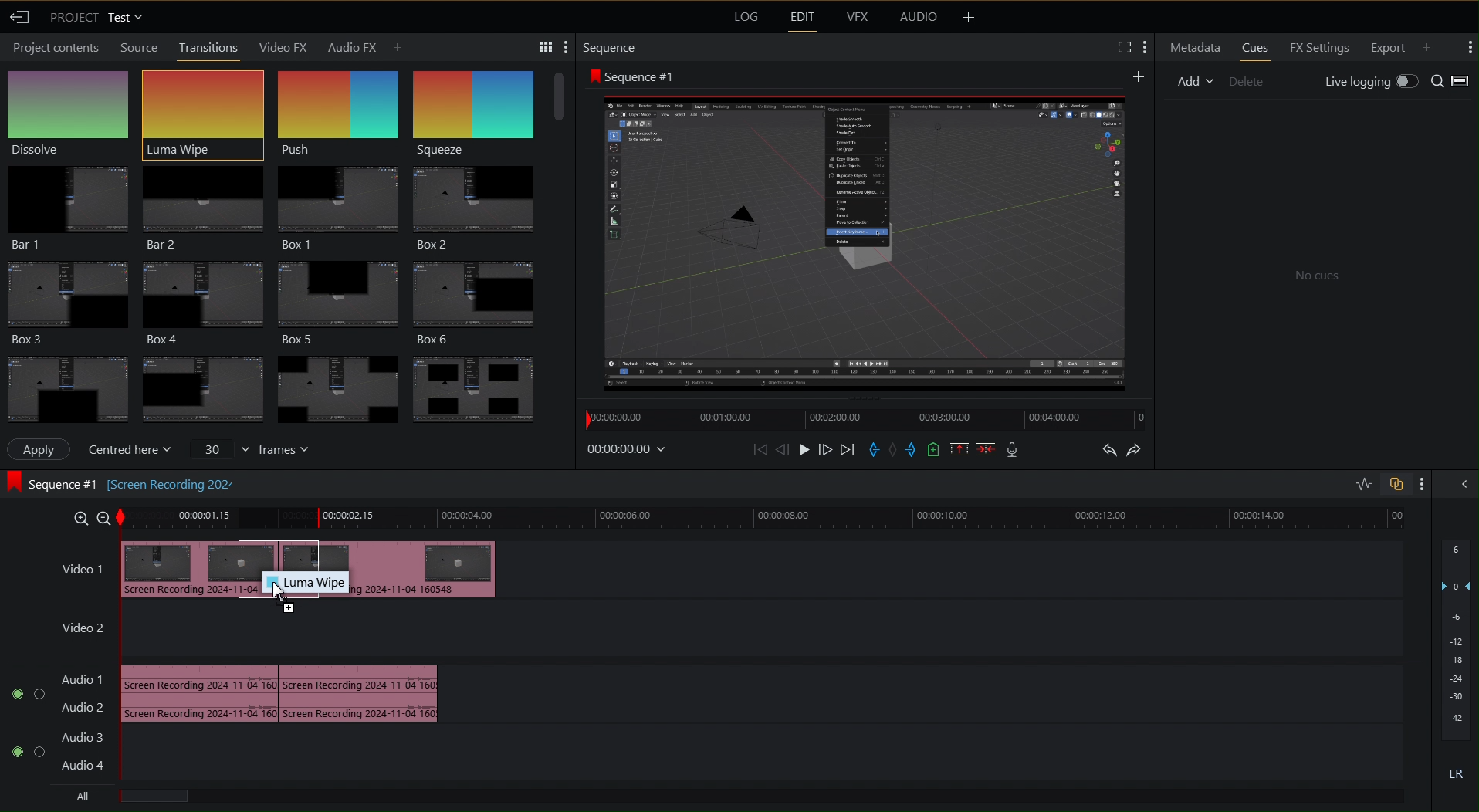 This screenshot has height=812, width=1479. I want to click on Skip Forward, so click(846, 450).